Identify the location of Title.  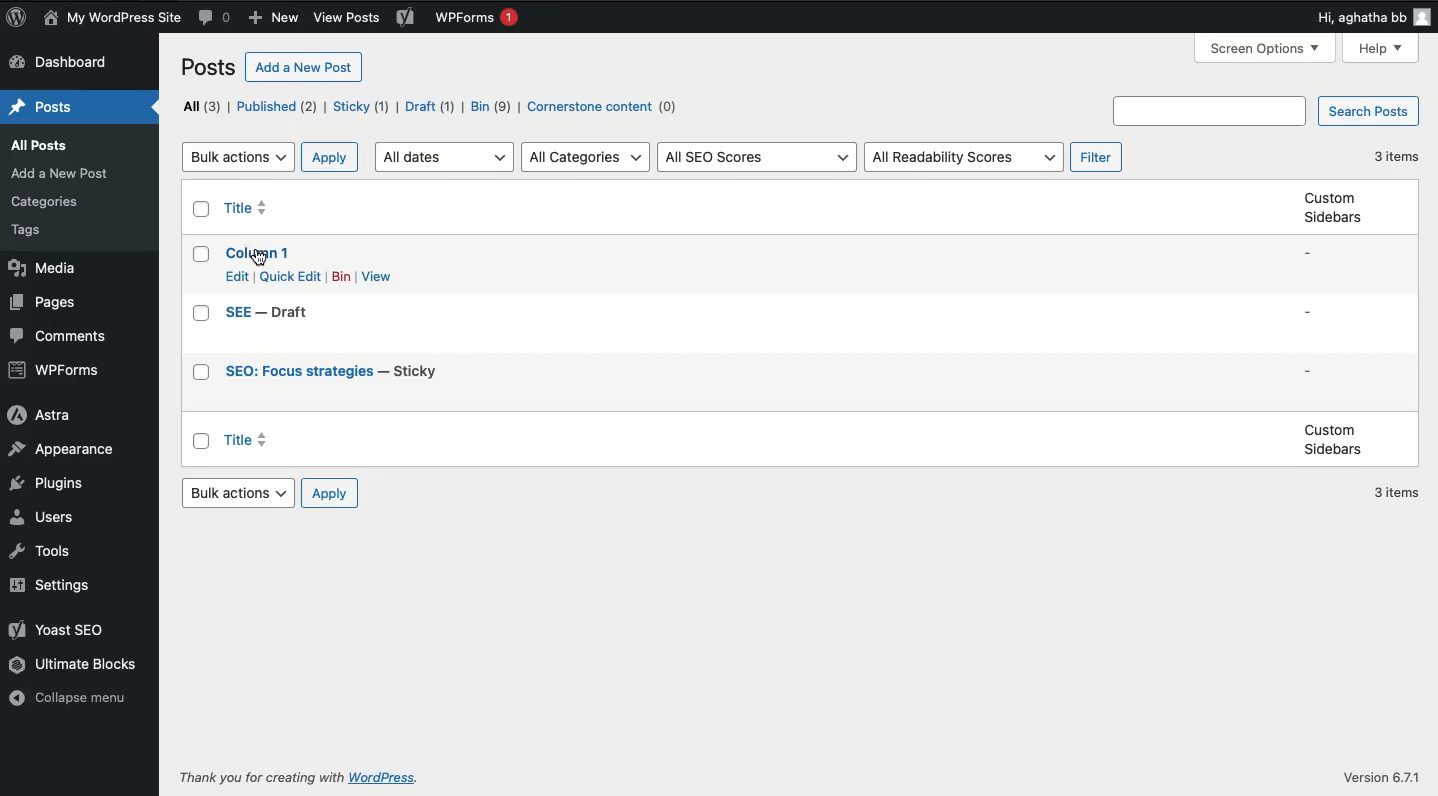
(247, 207).